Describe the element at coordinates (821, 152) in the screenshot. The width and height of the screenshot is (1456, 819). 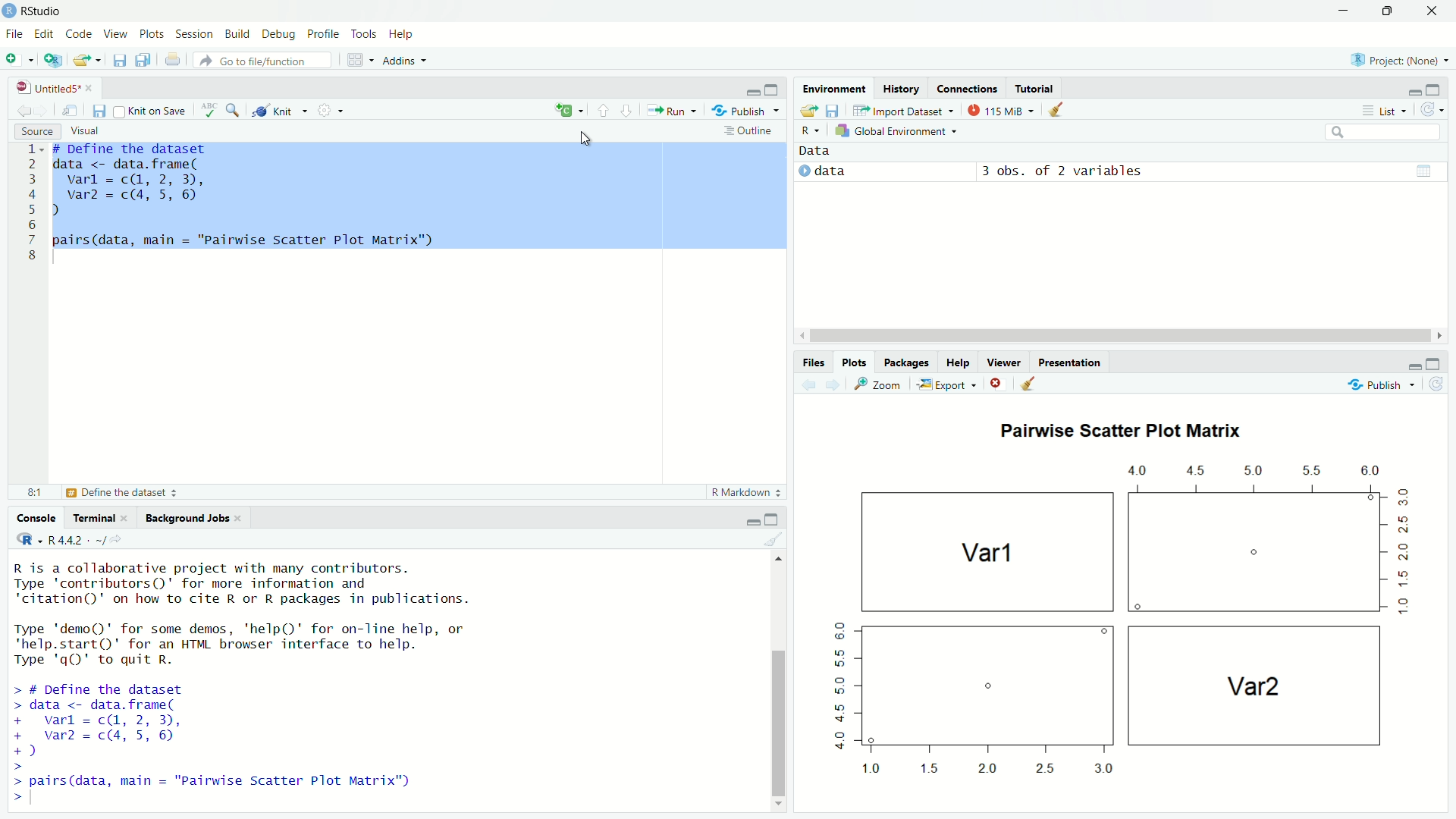
I see `Data` at that location.